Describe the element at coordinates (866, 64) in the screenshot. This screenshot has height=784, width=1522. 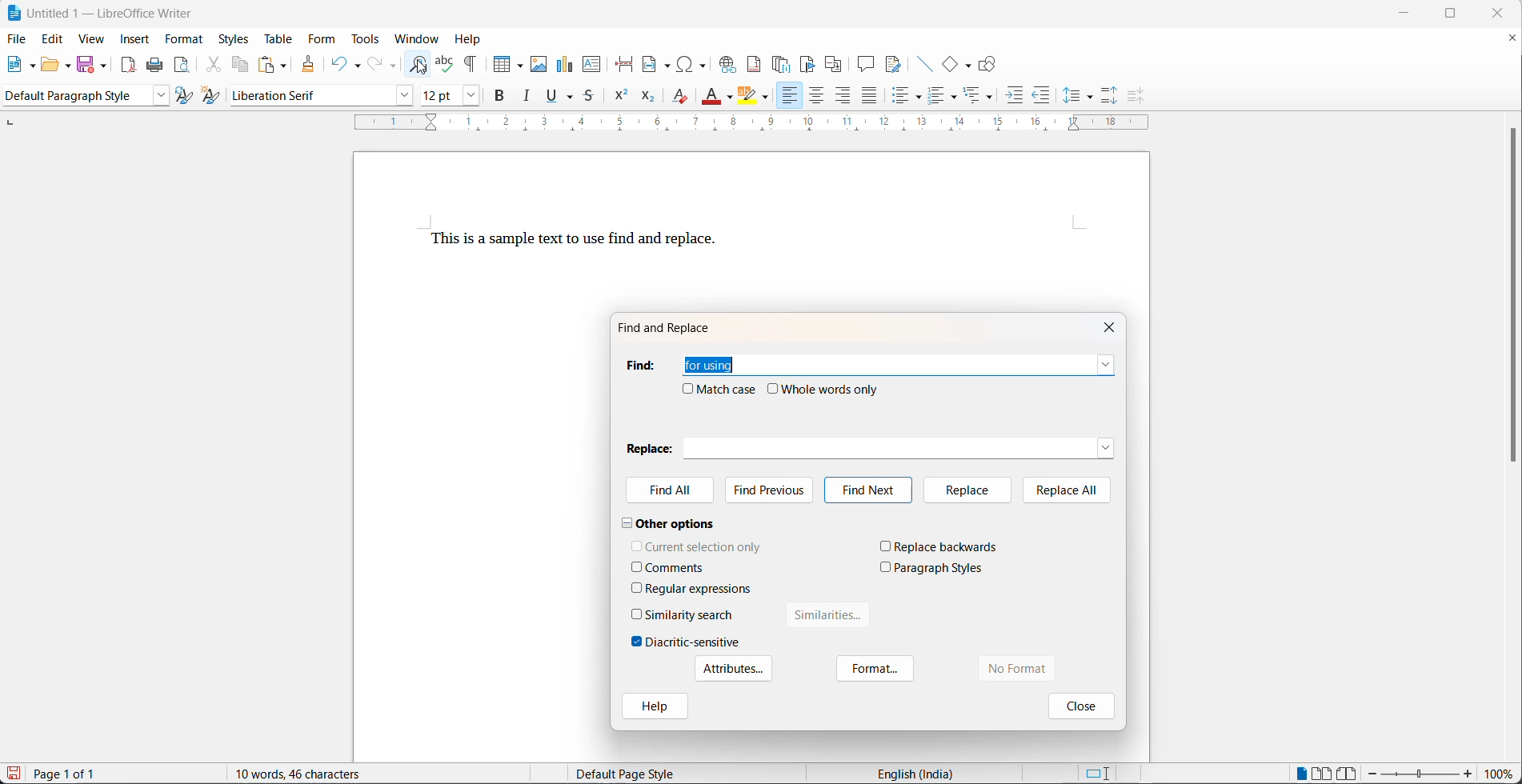
I see `insert comment` at that location.